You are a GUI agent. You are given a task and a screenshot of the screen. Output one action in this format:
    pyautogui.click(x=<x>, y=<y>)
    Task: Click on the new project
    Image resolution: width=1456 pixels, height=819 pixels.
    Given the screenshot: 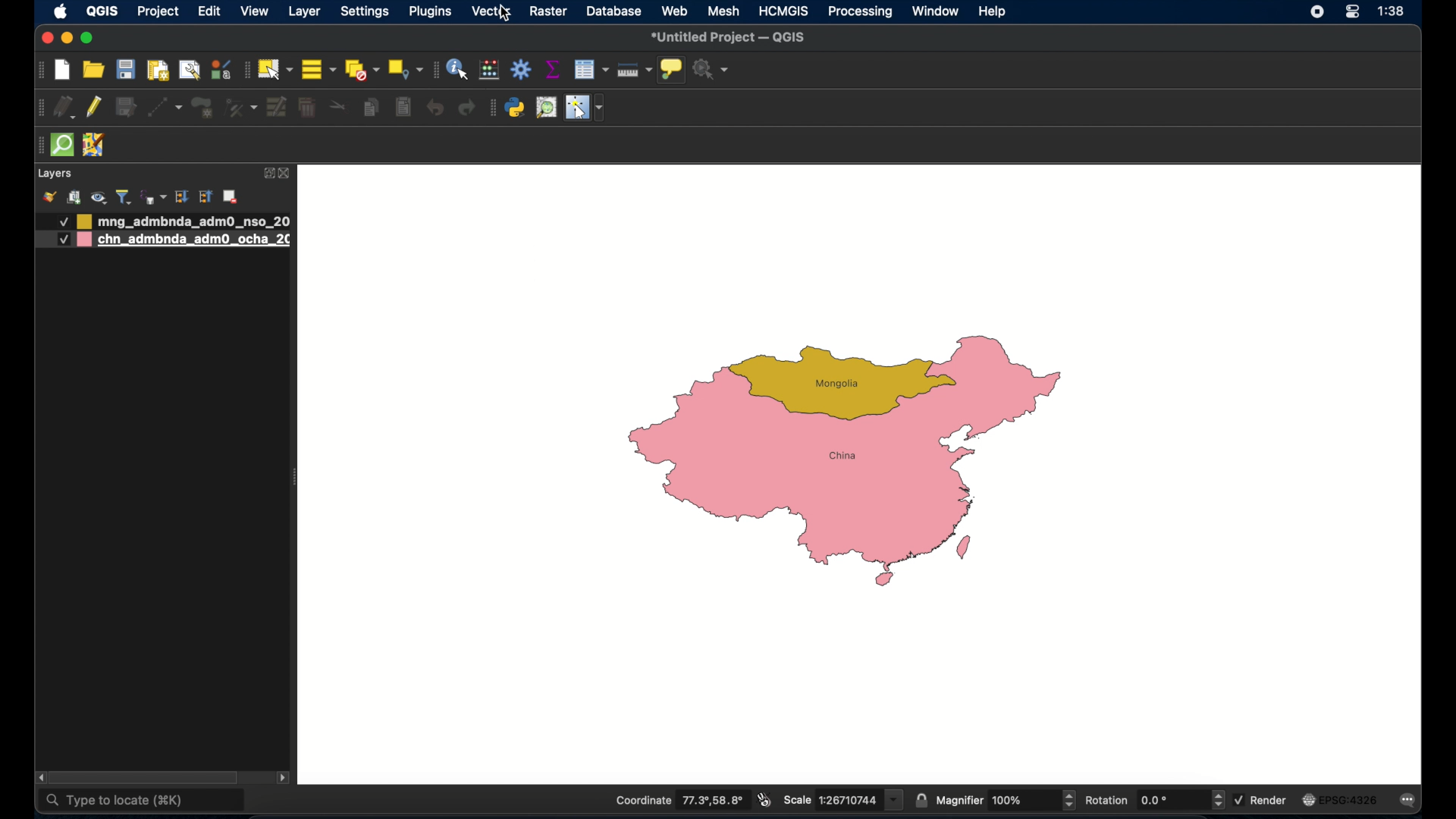 What is the action you would take?
    pyautogui.click(x=63, y=71)
    